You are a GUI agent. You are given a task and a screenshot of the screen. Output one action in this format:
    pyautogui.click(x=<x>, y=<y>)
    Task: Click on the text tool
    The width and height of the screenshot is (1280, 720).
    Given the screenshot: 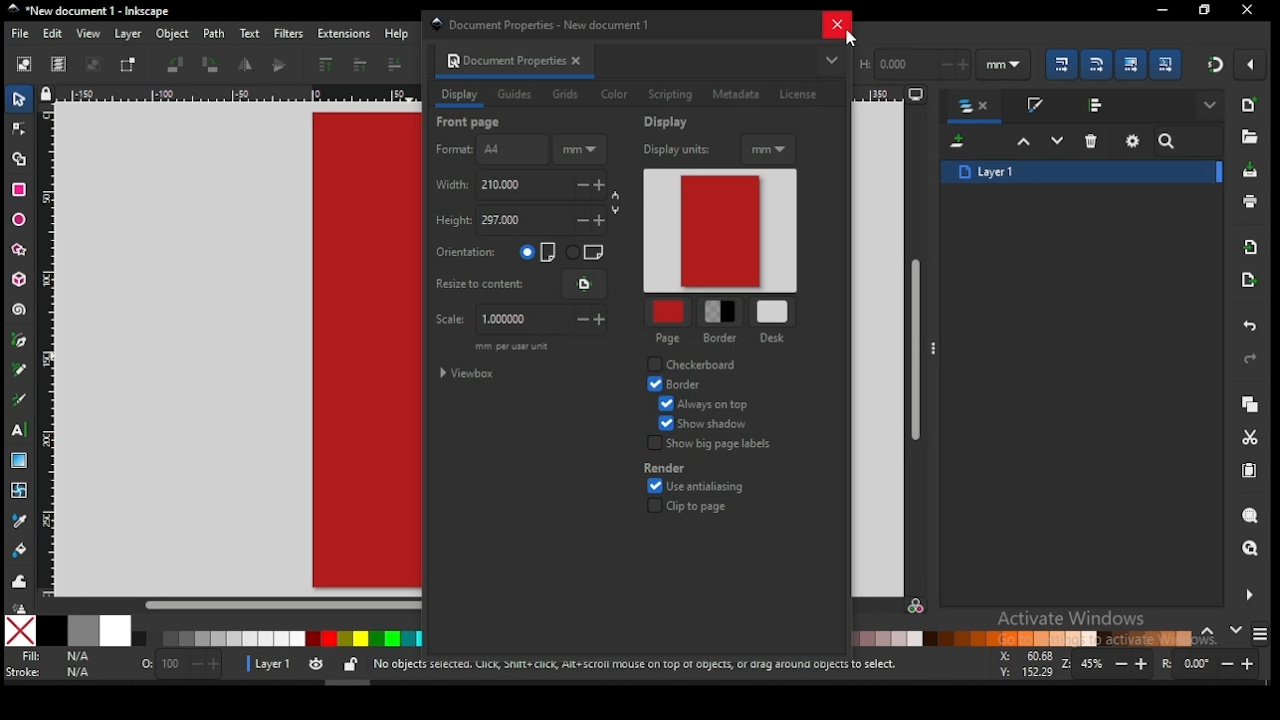 What is the action you would take?
    pyautogui.click(x=20, y=430)
    